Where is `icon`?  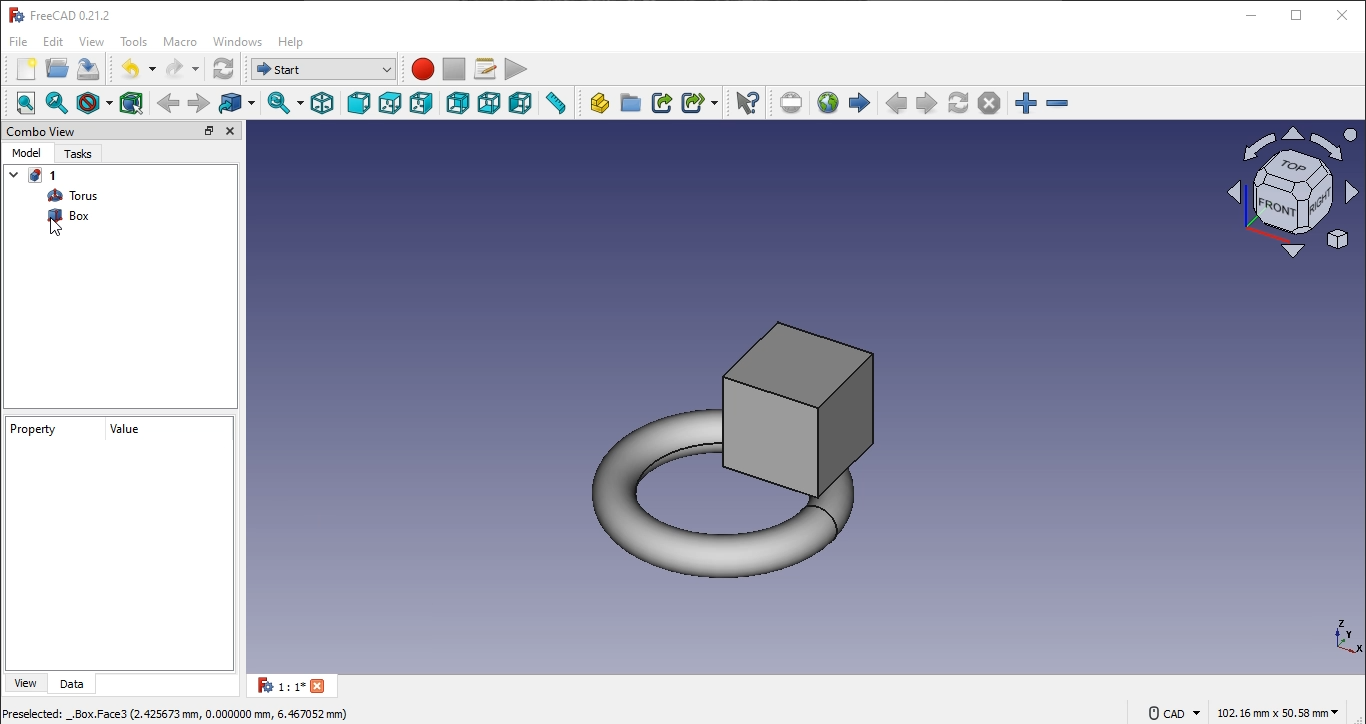
icon is located at coordinates (1290, 190).